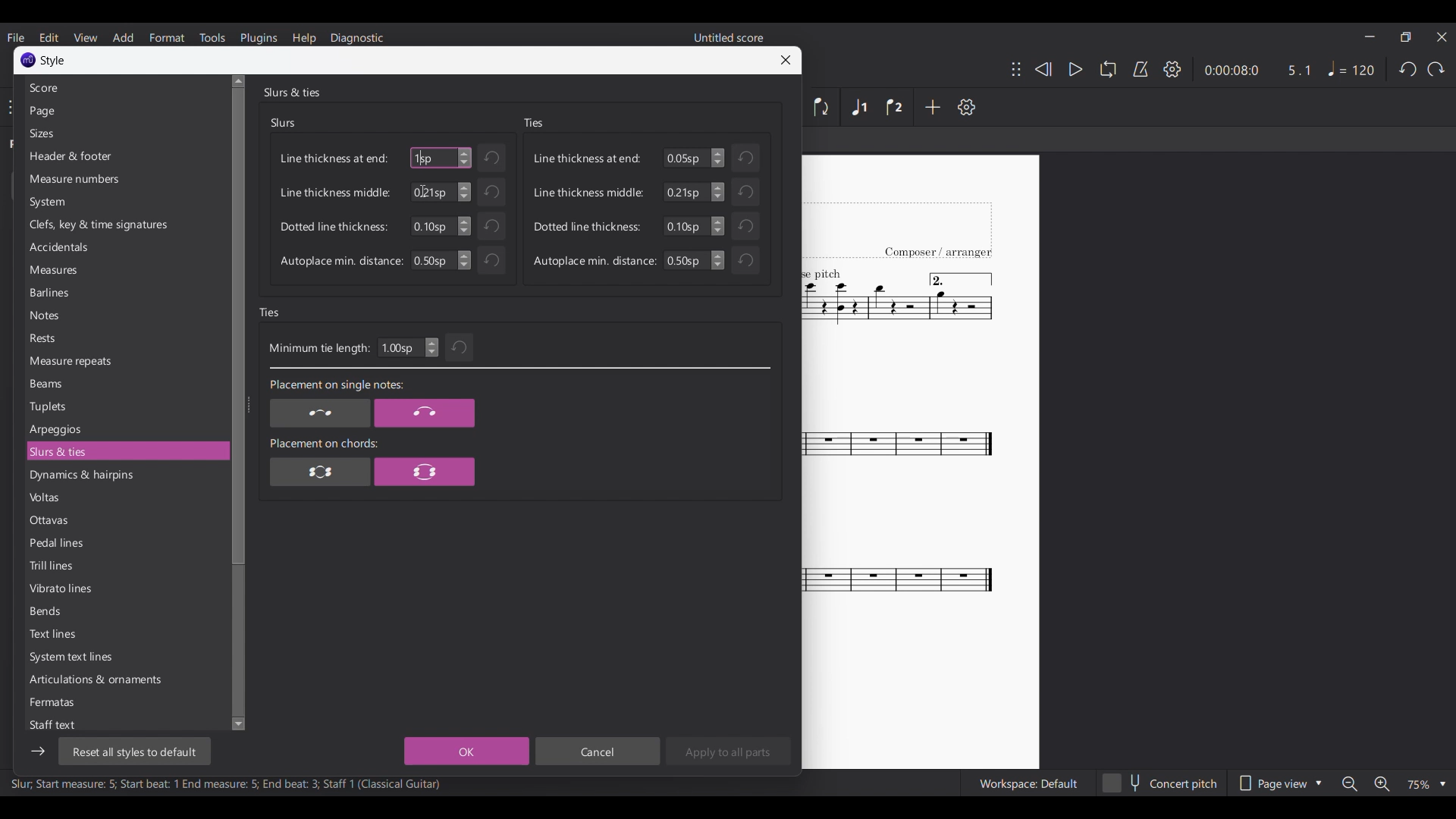 The width and height of the screenshot is (1456, 819). I want to click on Vertical slide bar, so click(235, 403).